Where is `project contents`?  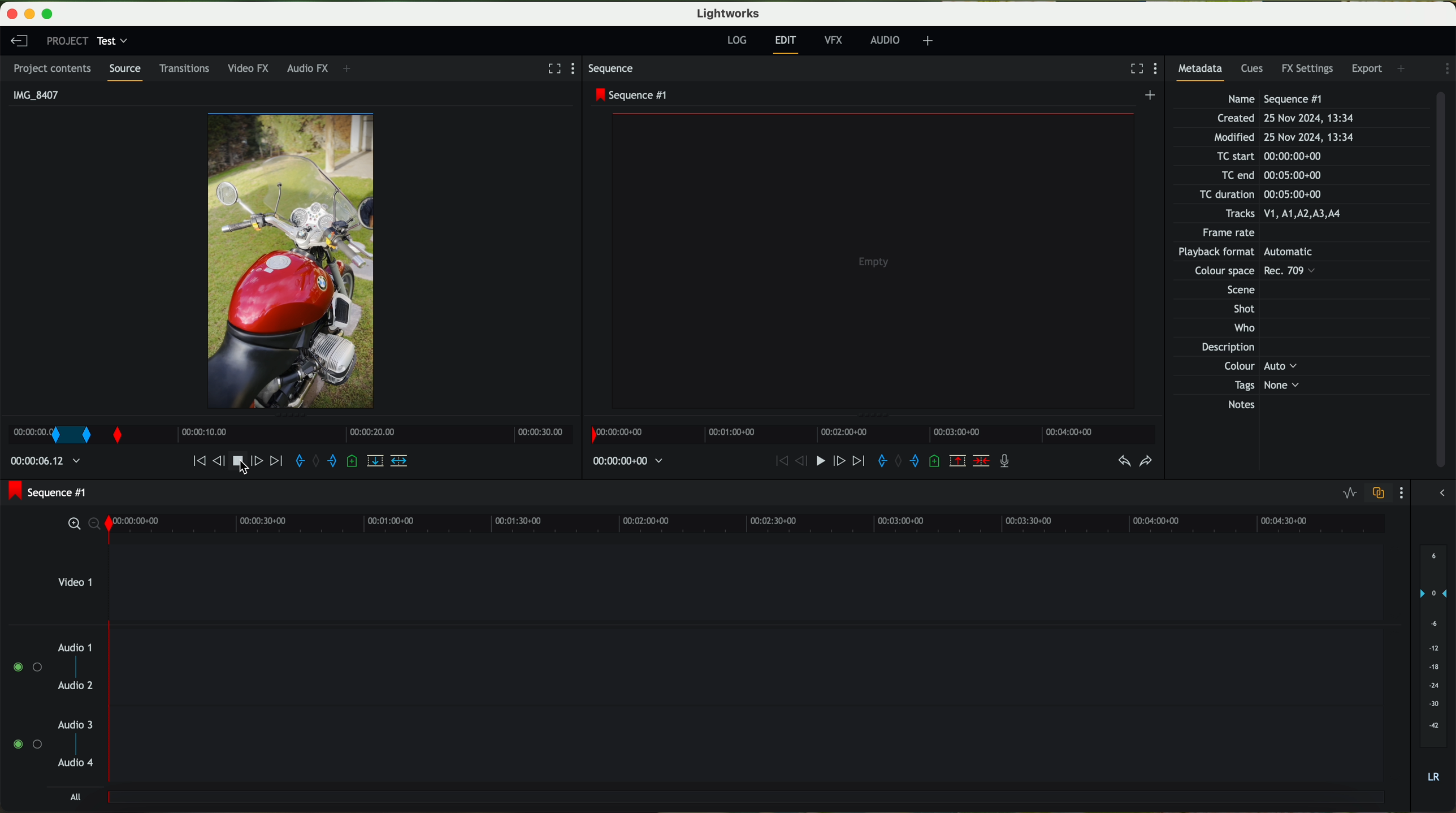 project contents is located at coordinates (54, 68).